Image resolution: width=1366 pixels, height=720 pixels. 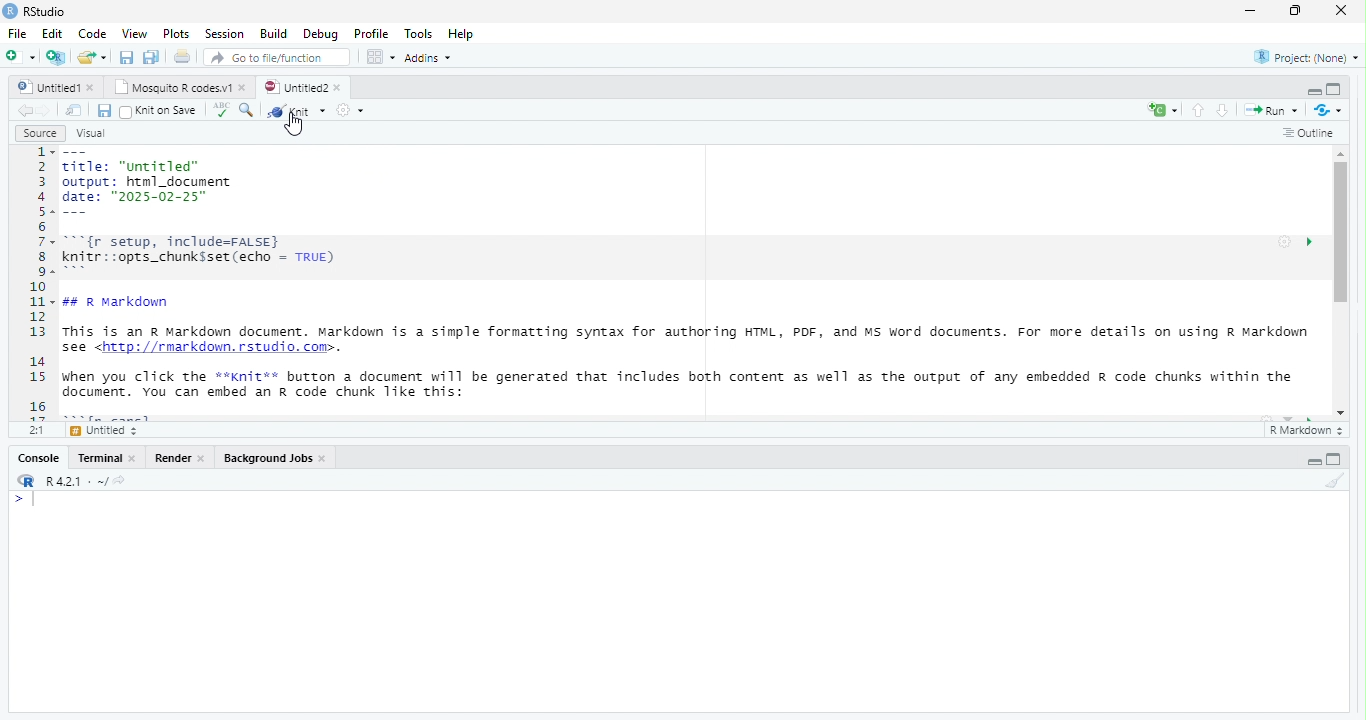 What do you see at coordinates (349, 110) in the screenshot?
I see `settings` at bounding box center [349, 110].